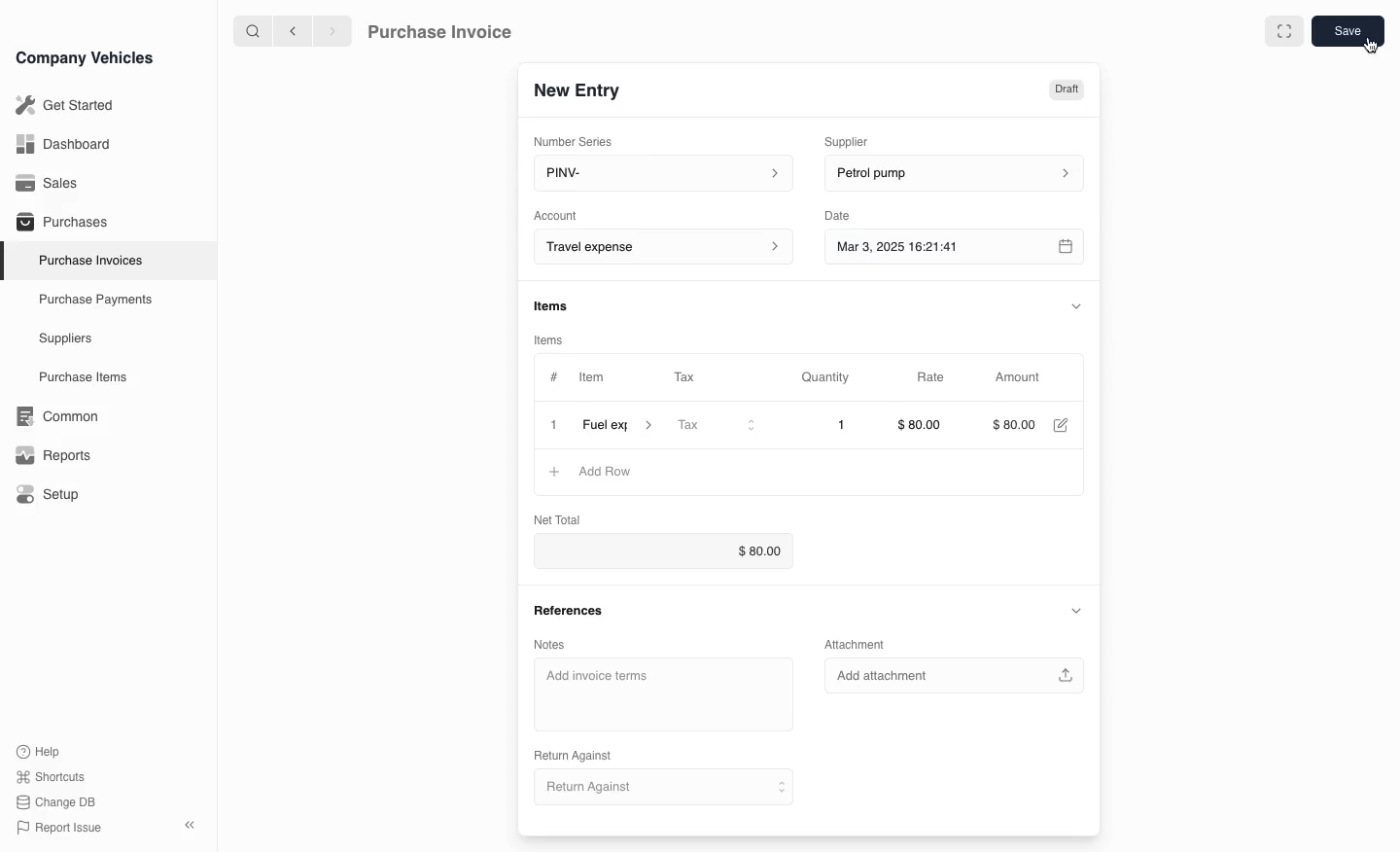 This screenshot has height=852, width=1400. What do you see at coordinates (956, 675) in the screenshot?
I see `Add attachment` at bounding box center [956, 675].